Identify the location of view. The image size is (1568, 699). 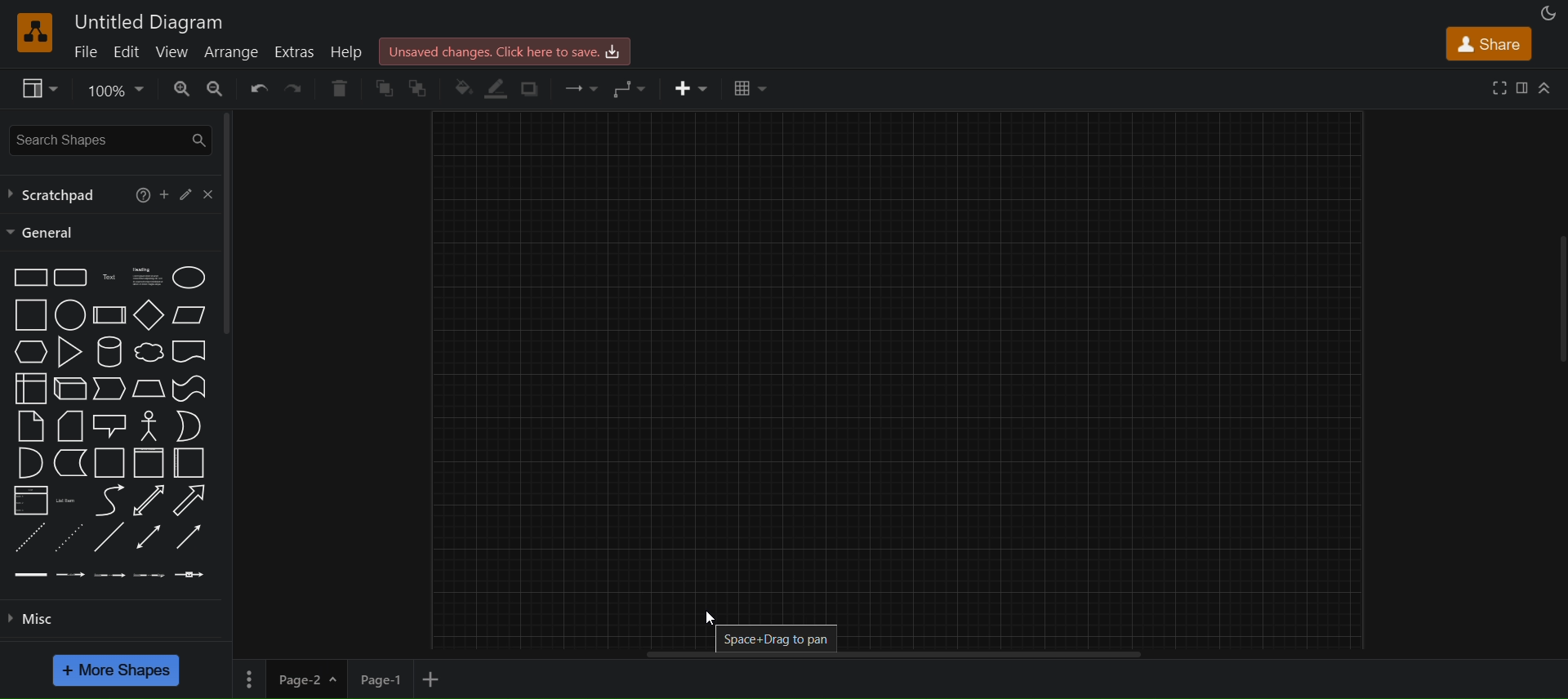
(173, 51).